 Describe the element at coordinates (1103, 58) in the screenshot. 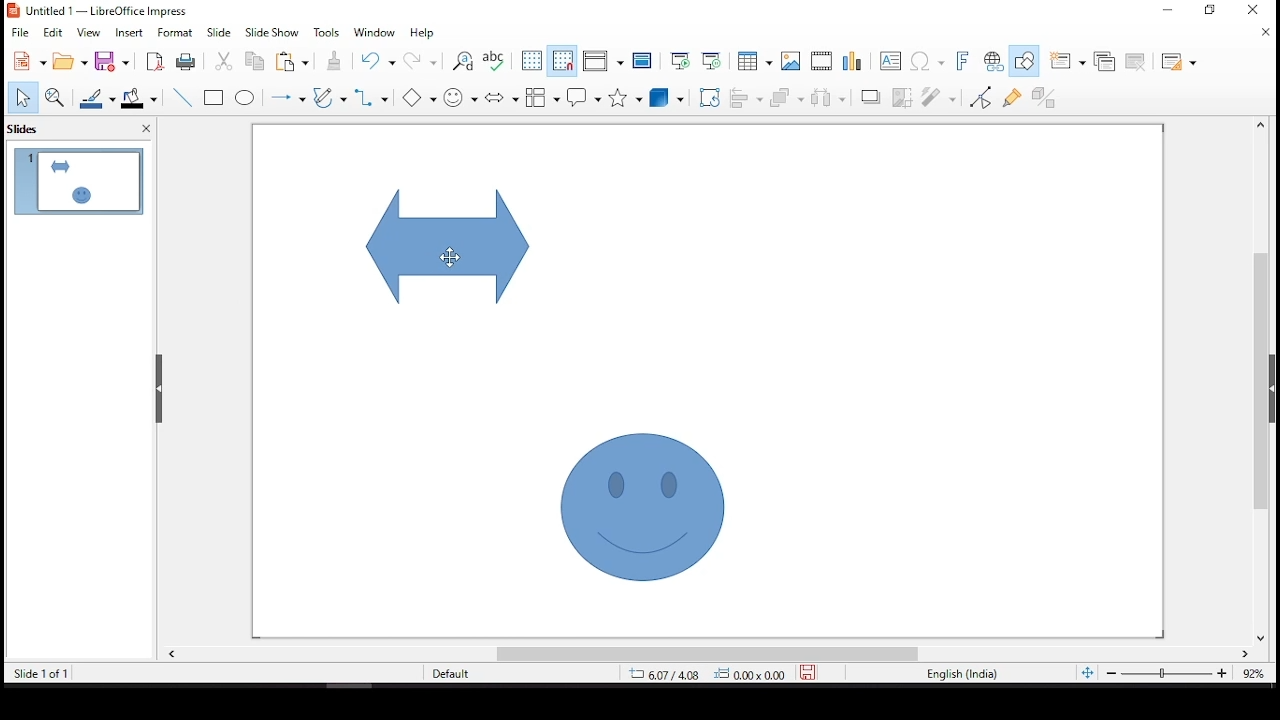

I see `duplicate slide` at that location.